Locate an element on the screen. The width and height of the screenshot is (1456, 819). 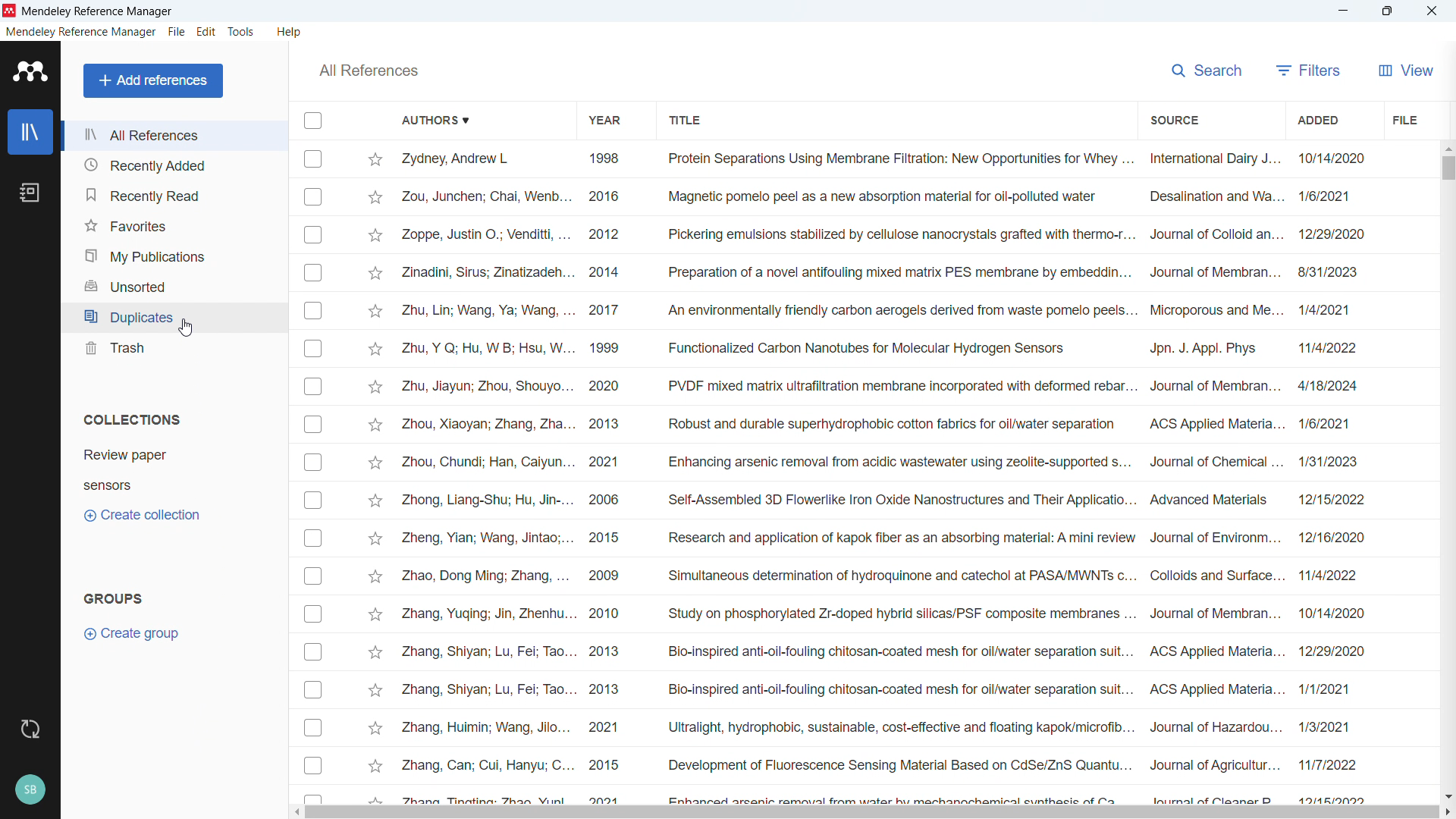
View  is located at coordinates (1407, 70).